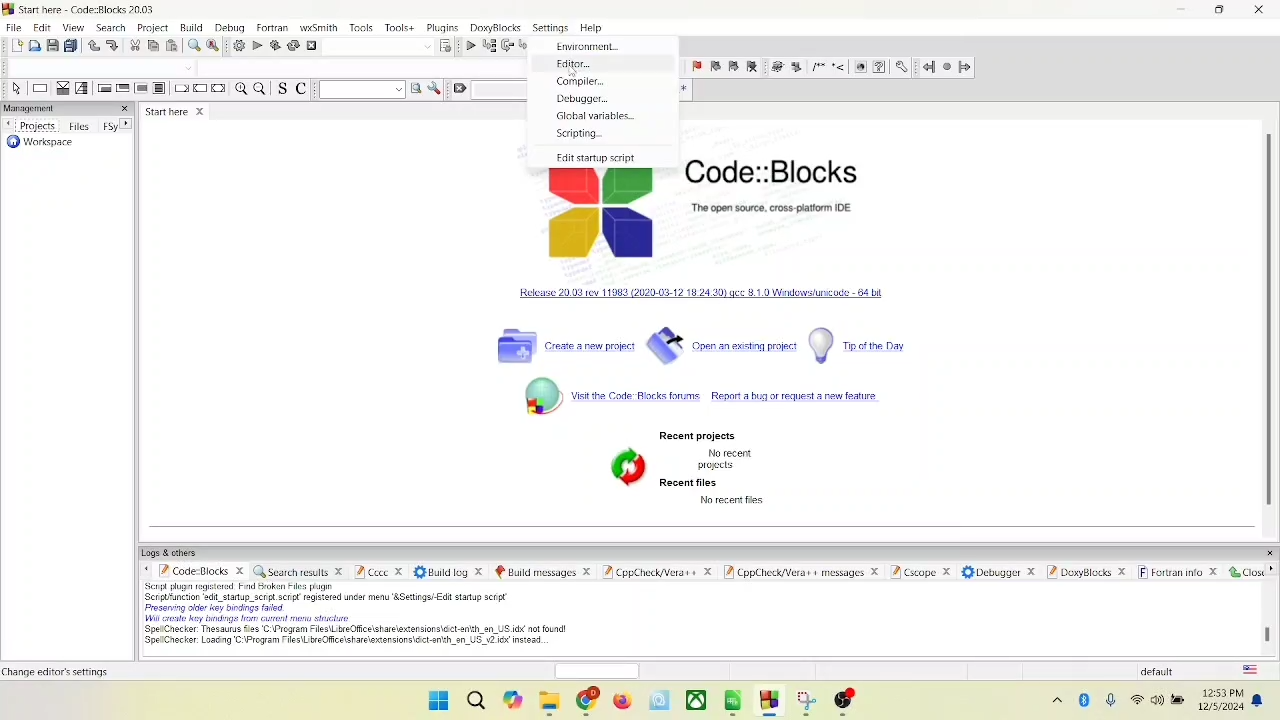 The height and width of the screenshot is (720, 1280). I want to click on select, so click(18, 89).